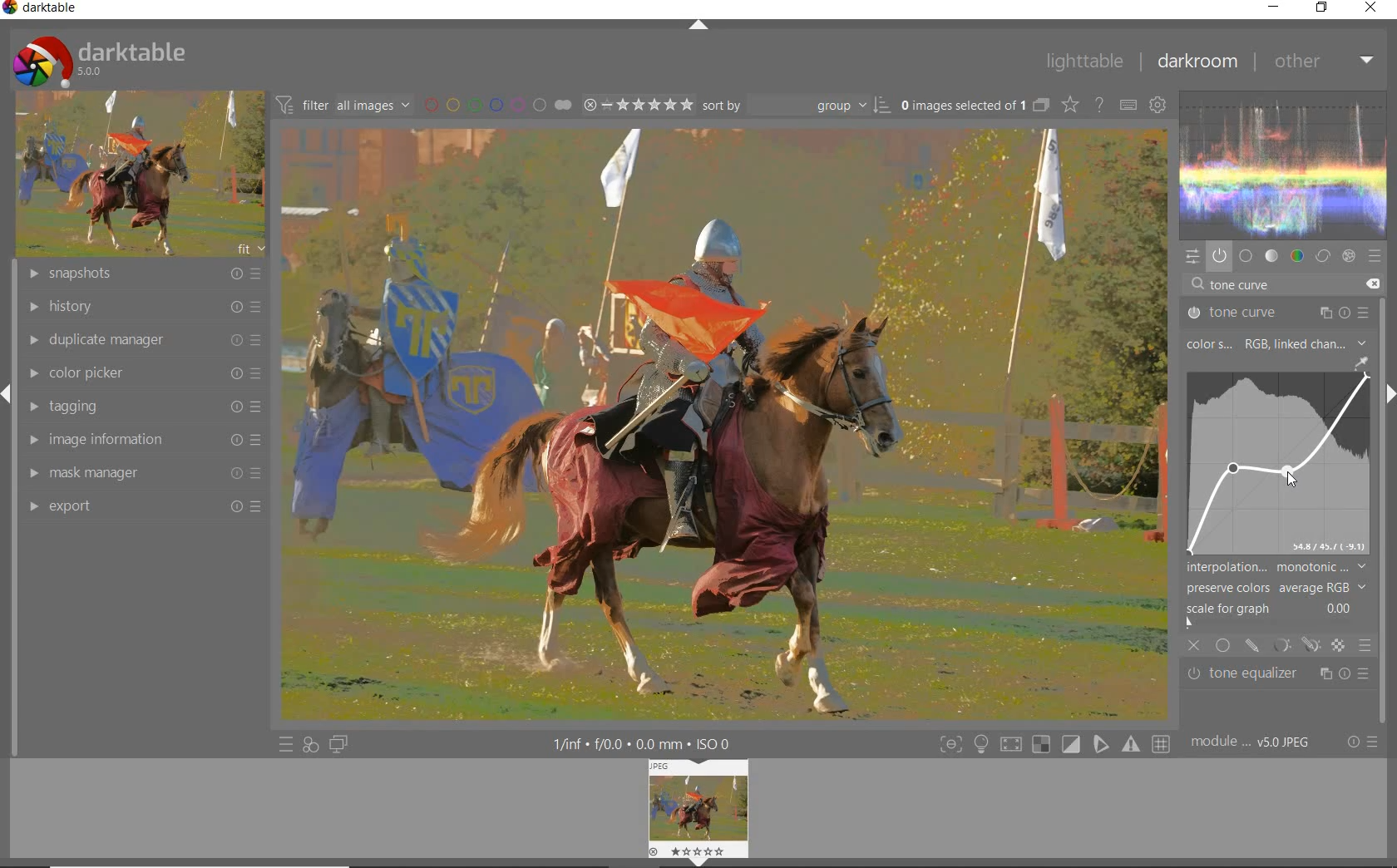 The image size is (1397, 868). I want to click on filter all images, so click(343, 105).